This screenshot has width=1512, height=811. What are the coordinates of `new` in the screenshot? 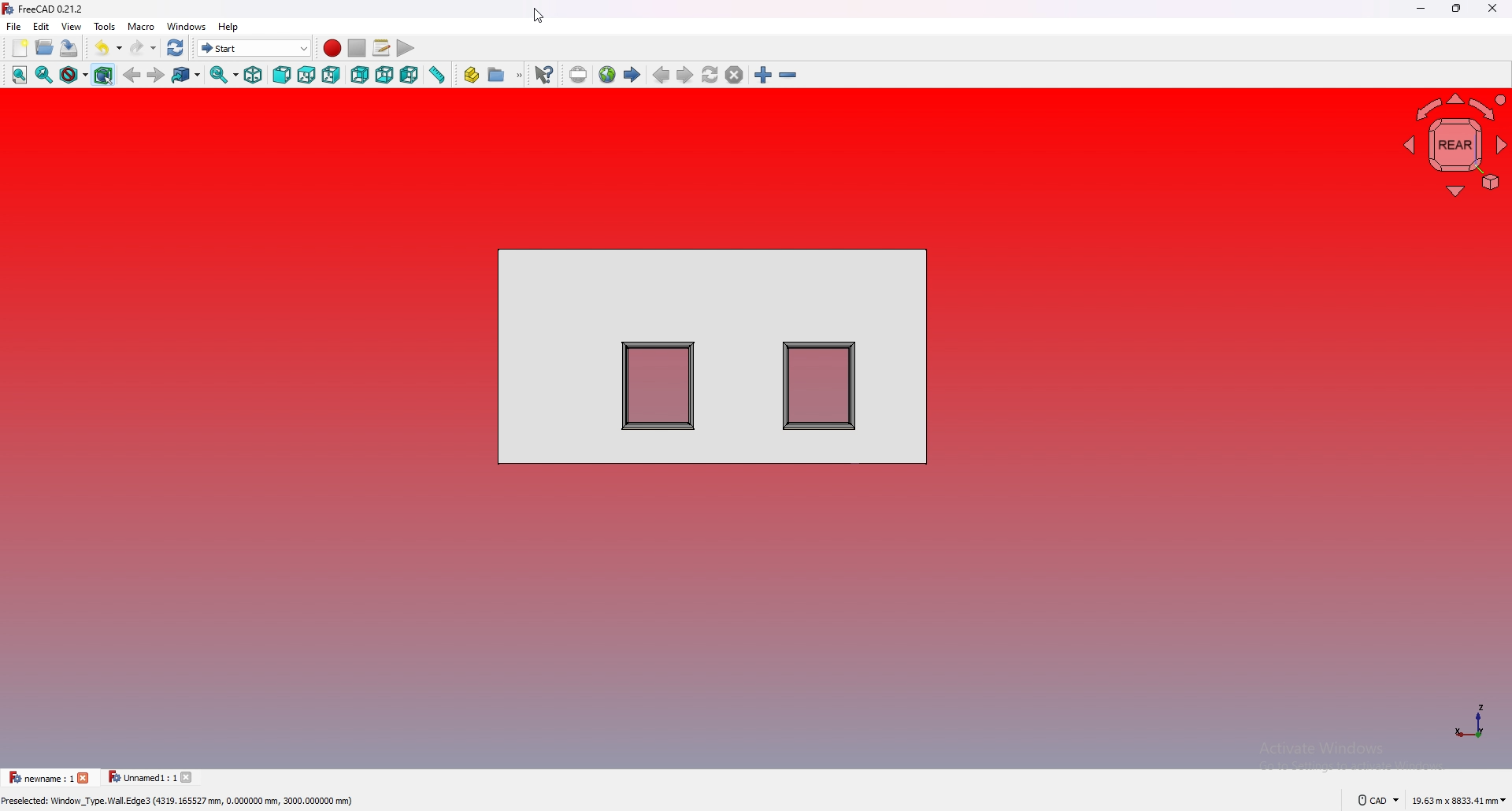 It's located at (20, 48).